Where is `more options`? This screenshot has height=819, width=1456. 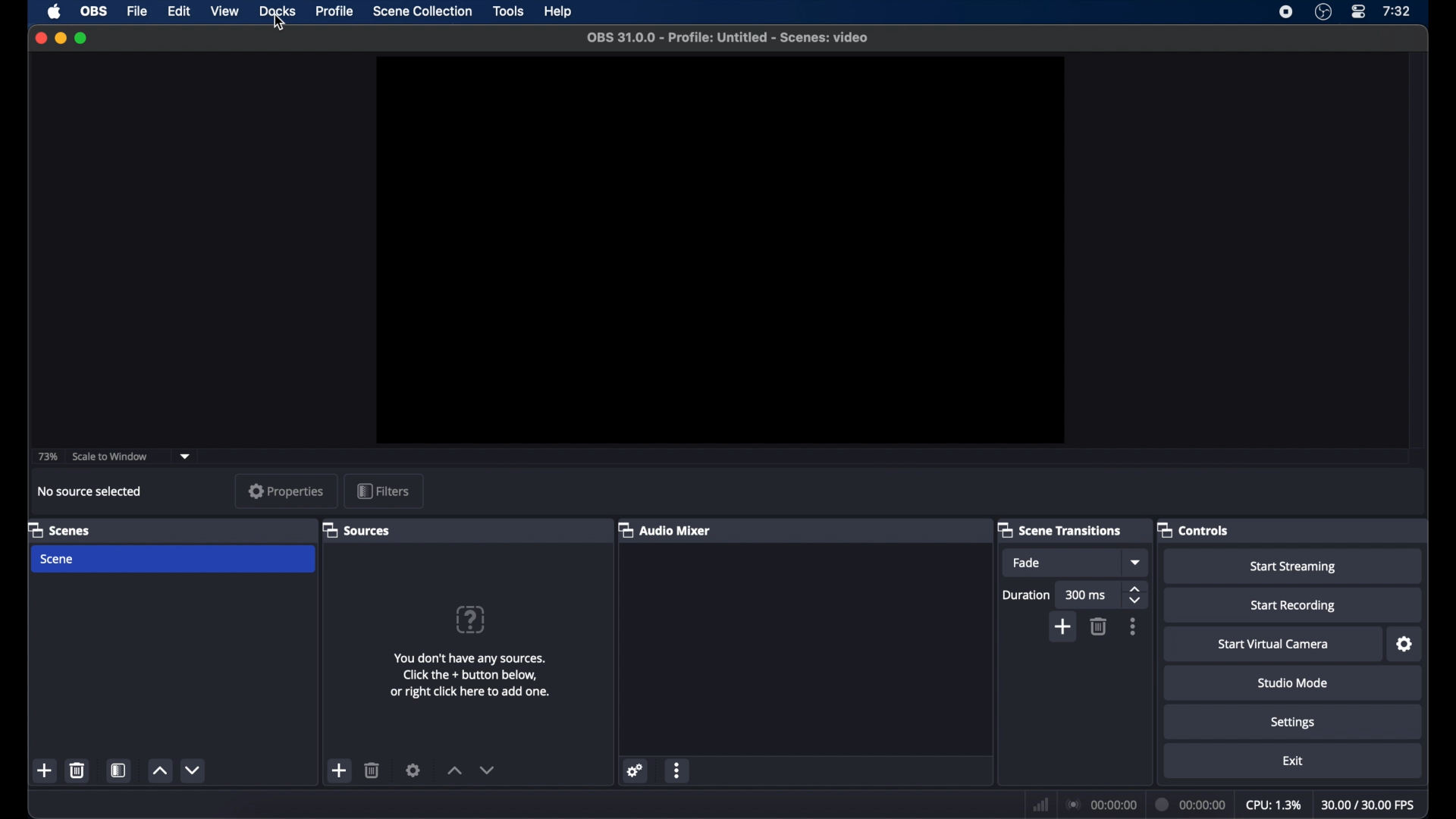
more options is located at coordinates (1133, 626).